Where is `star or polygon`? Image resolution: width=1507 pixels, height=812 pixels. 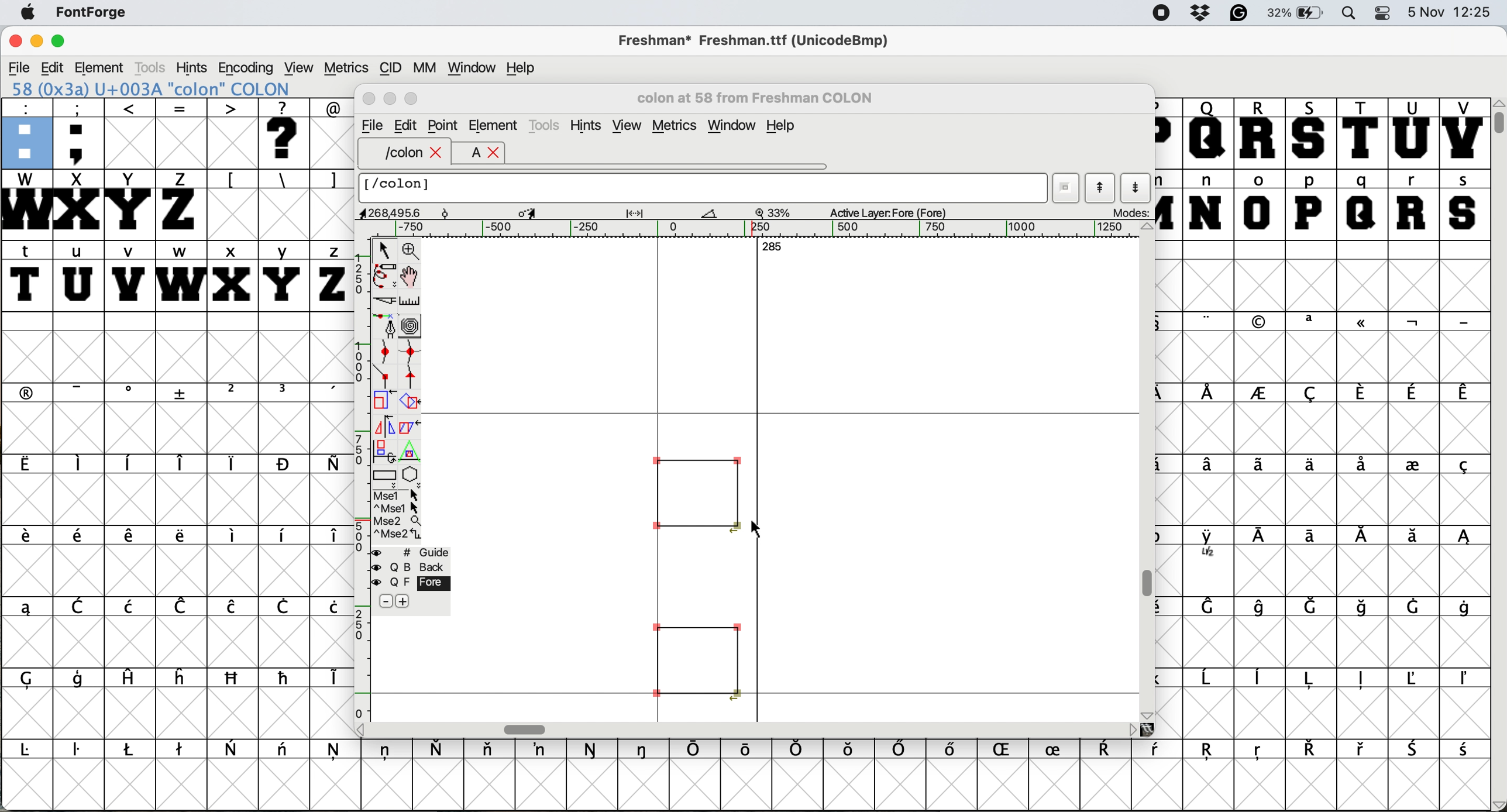 star or polygon is located at coordinates (414, 472).